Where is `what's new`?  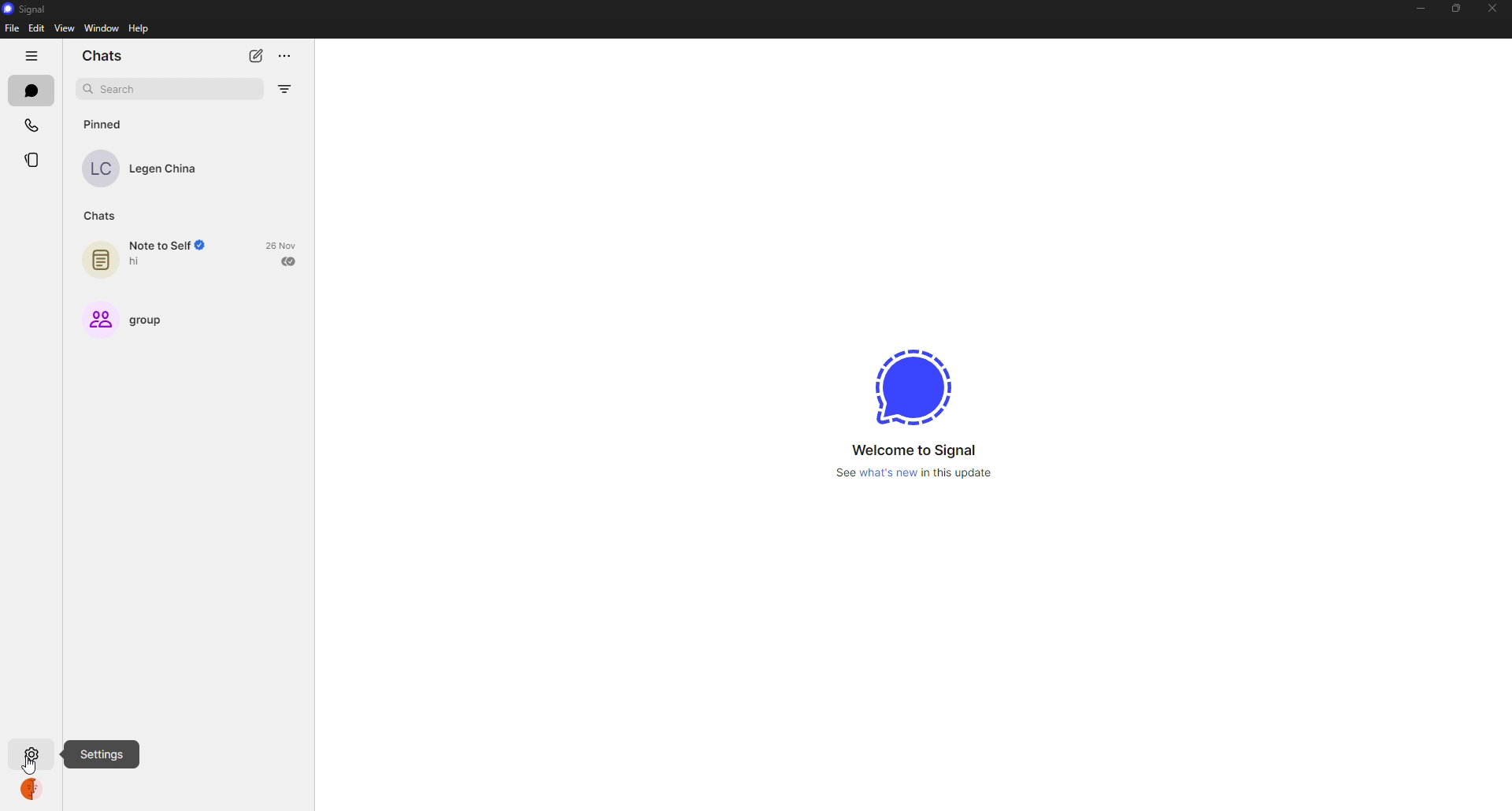
what's new is located at coordinates (917, 472).